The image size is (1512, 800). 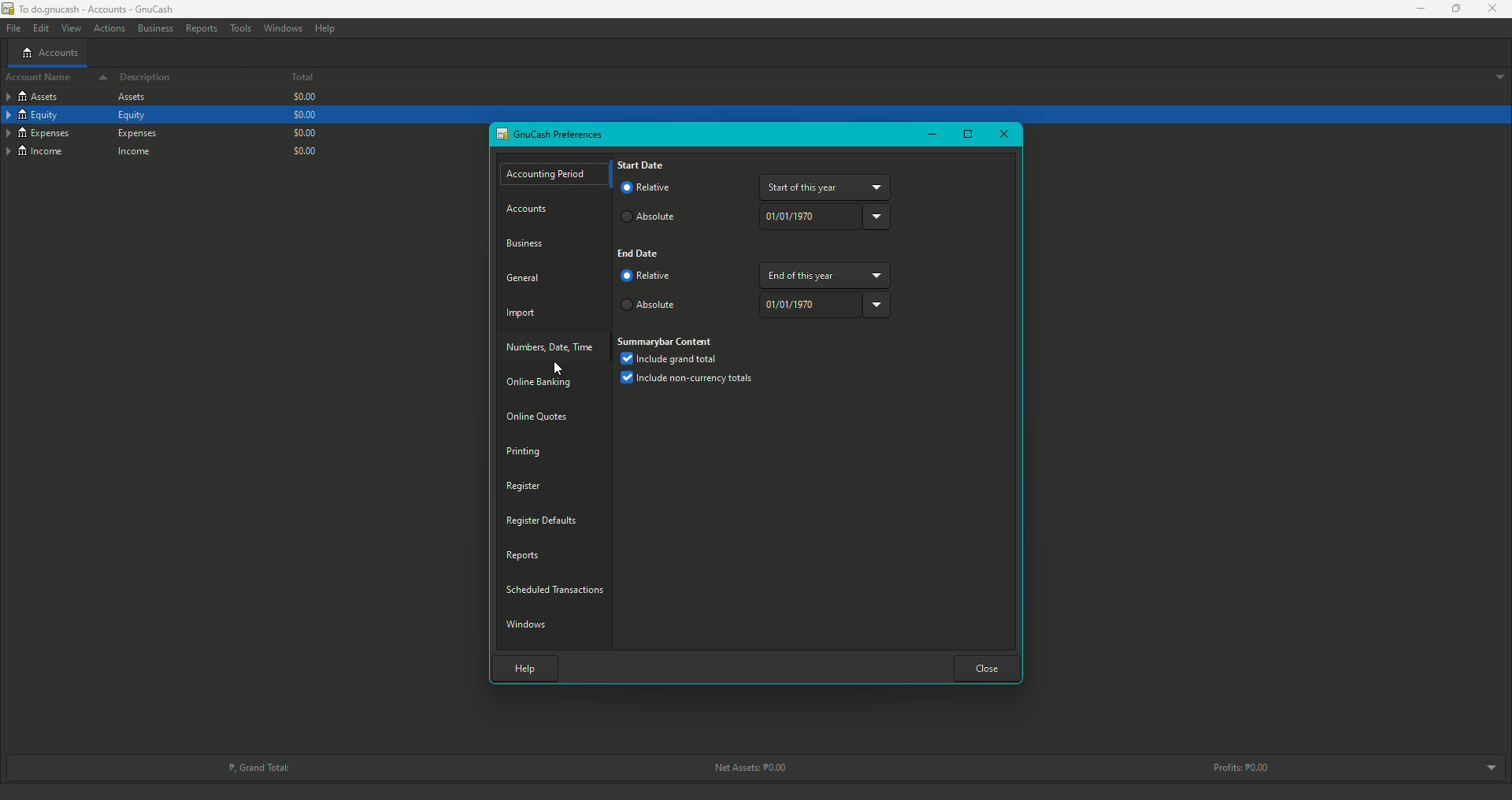 What do you see at coordinates (553, 347) in the screenshot?
I see `Numbers, Date, Time` at bounding box center [553, 347].